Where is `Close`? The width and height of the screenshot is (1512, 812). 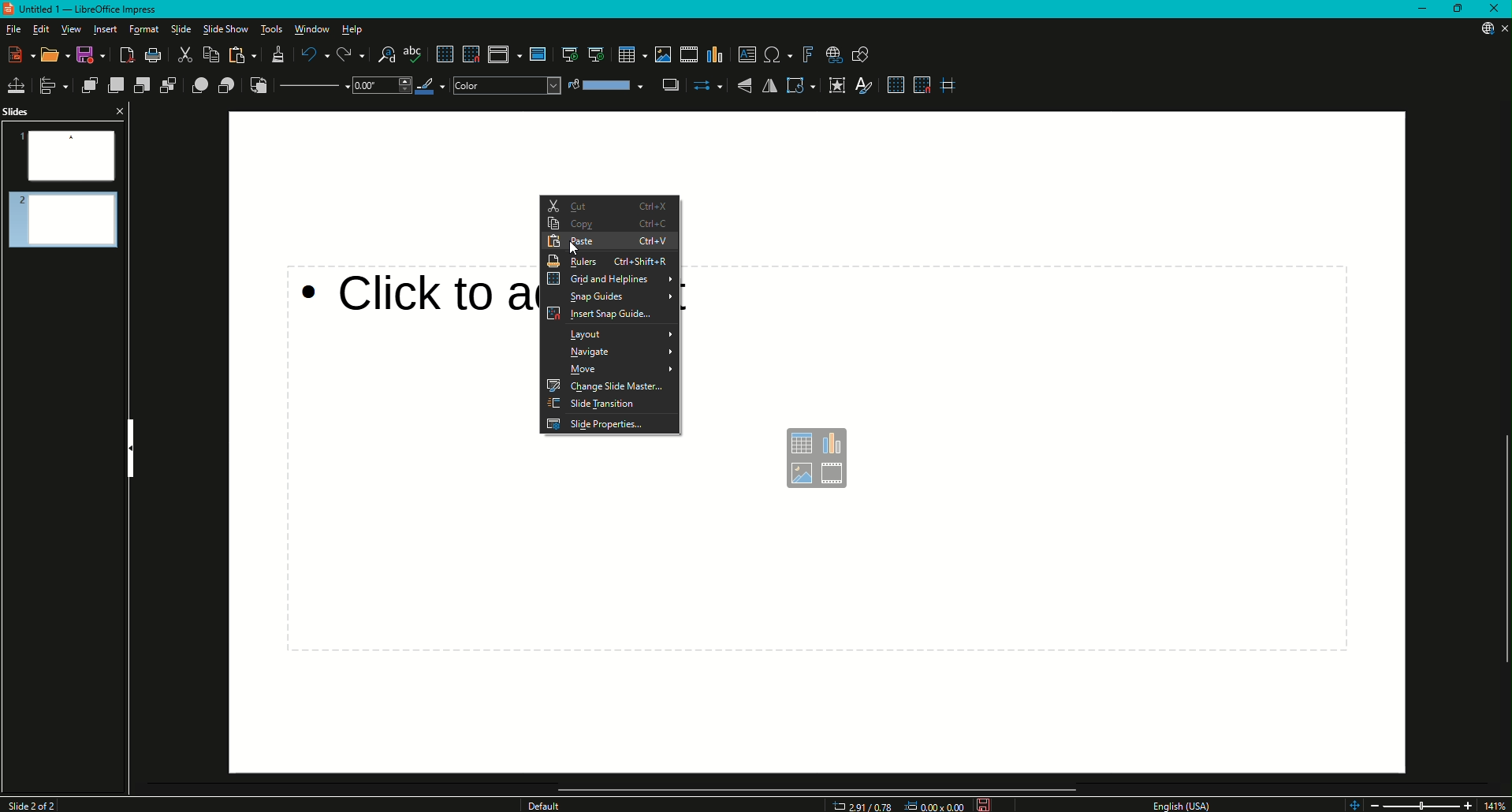
Close is located at coordinates (119, 111).